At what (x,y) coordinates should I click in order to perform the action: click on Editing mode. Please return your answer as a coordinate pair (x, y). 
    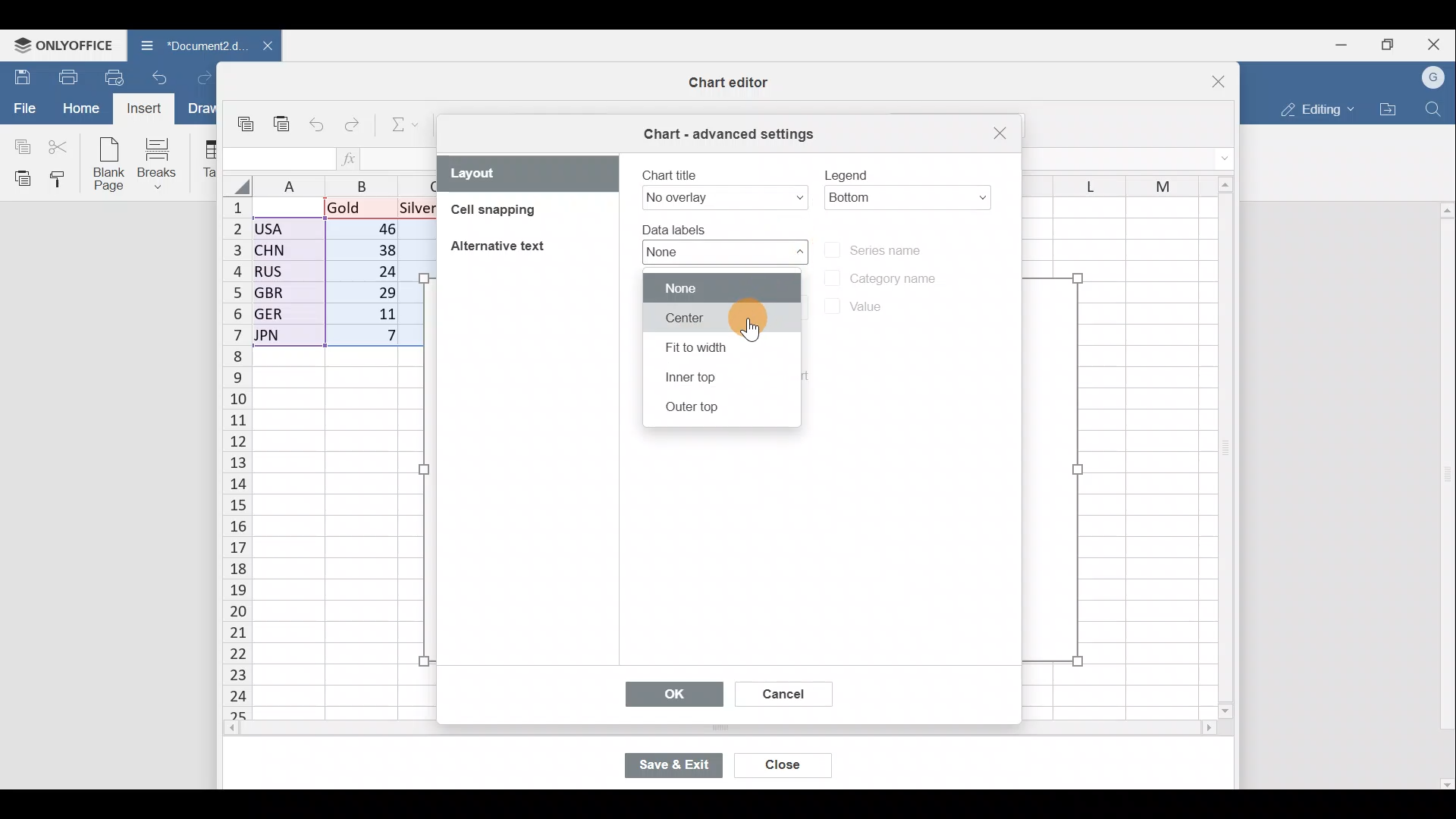
    Looking at the image, I should click on (1316, 106).